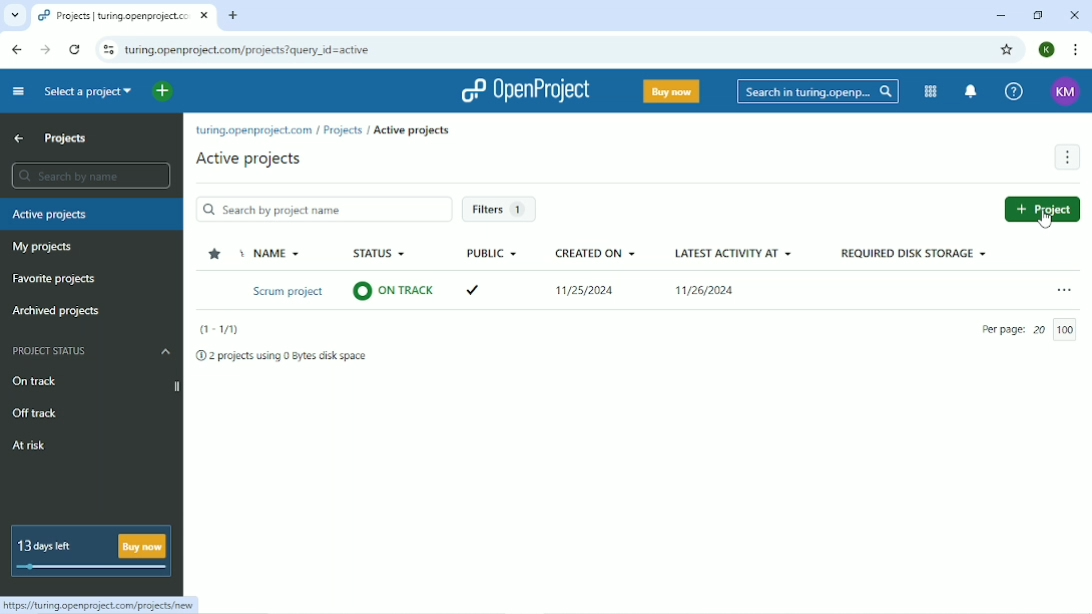  What do you see at coordinates (20, 88) in the screenshot?
I see `Collpase project menu` at bounding box center [20, 88].